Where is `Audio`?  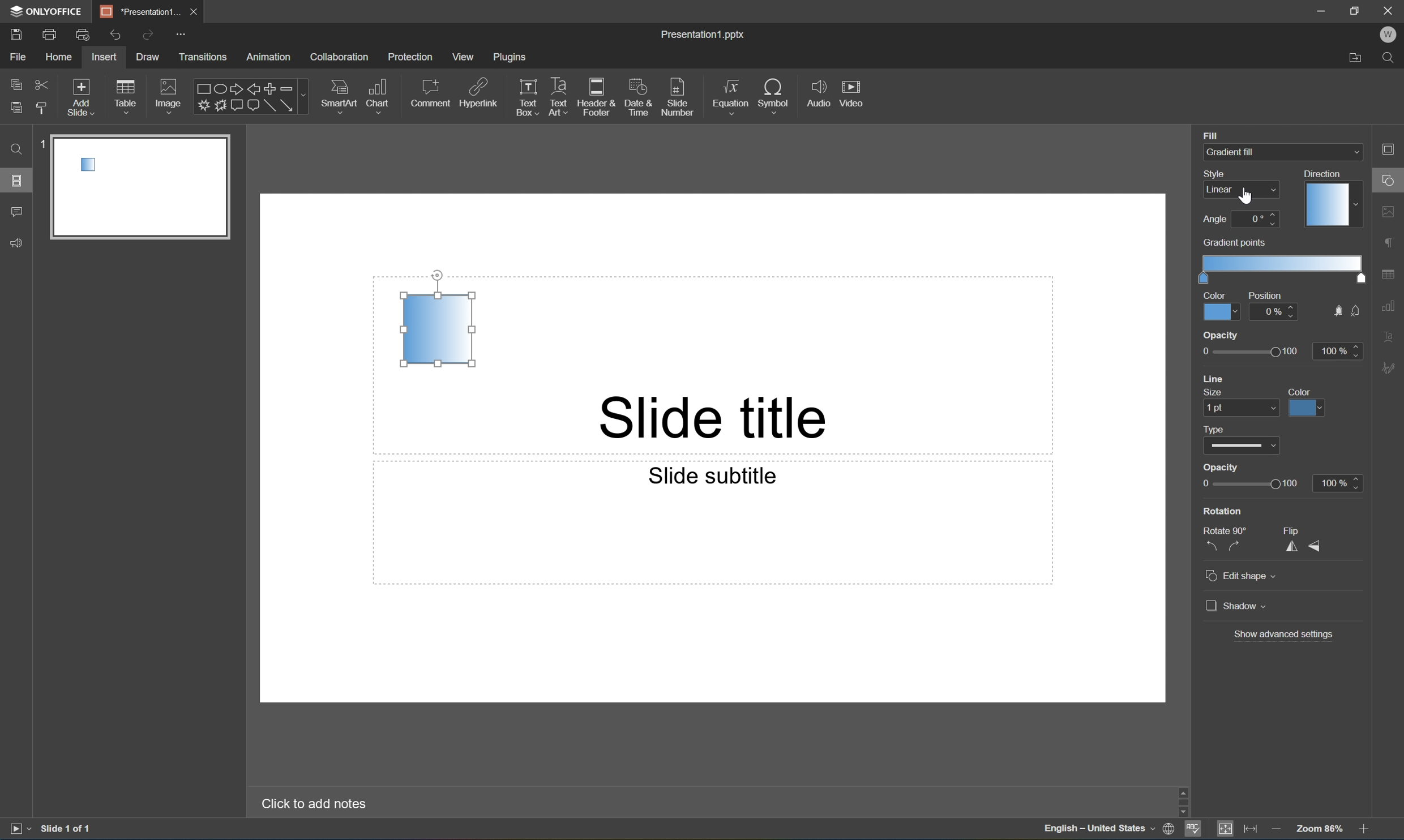 Audio is located at coordinates (819, 93).